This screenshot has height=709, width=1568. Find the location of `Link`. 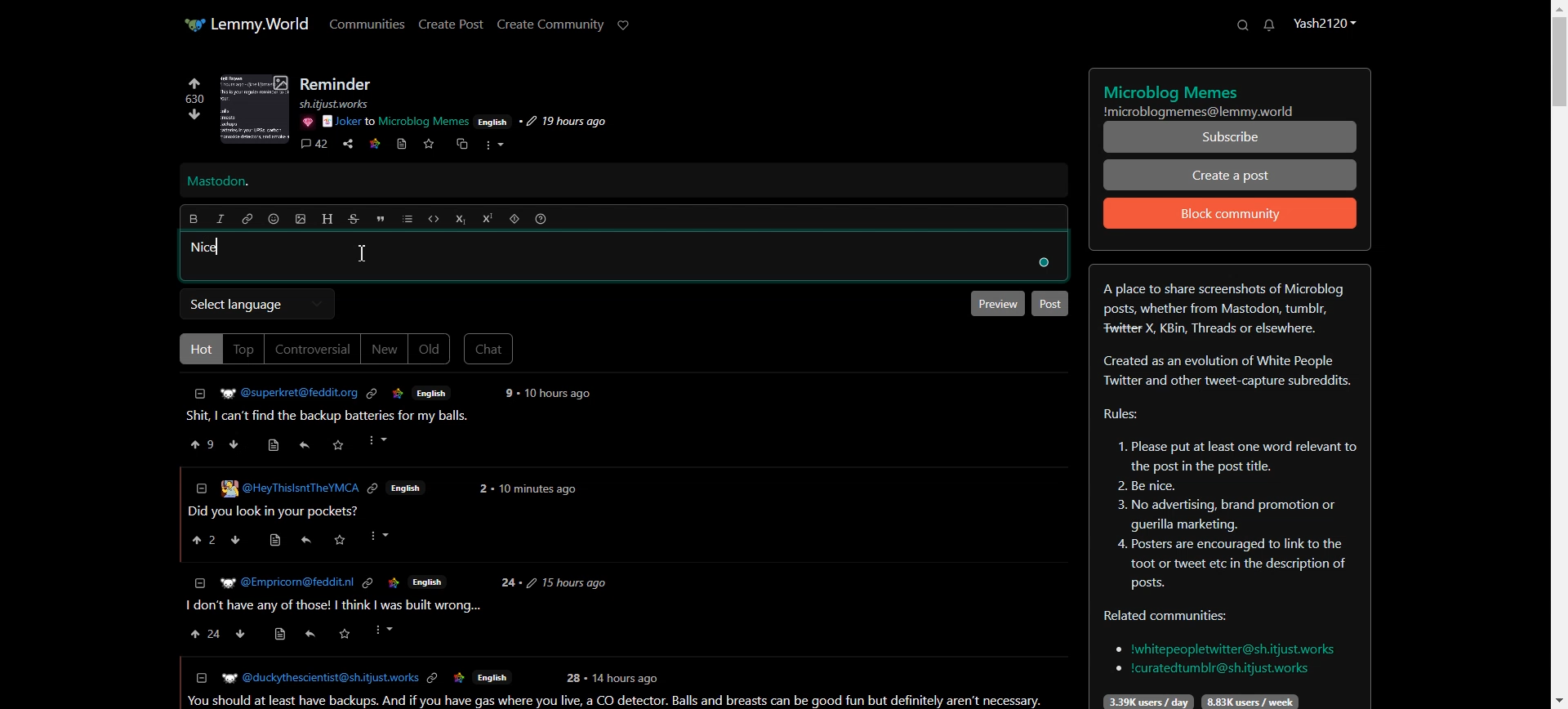

Link is located at coordinates (372, 394).